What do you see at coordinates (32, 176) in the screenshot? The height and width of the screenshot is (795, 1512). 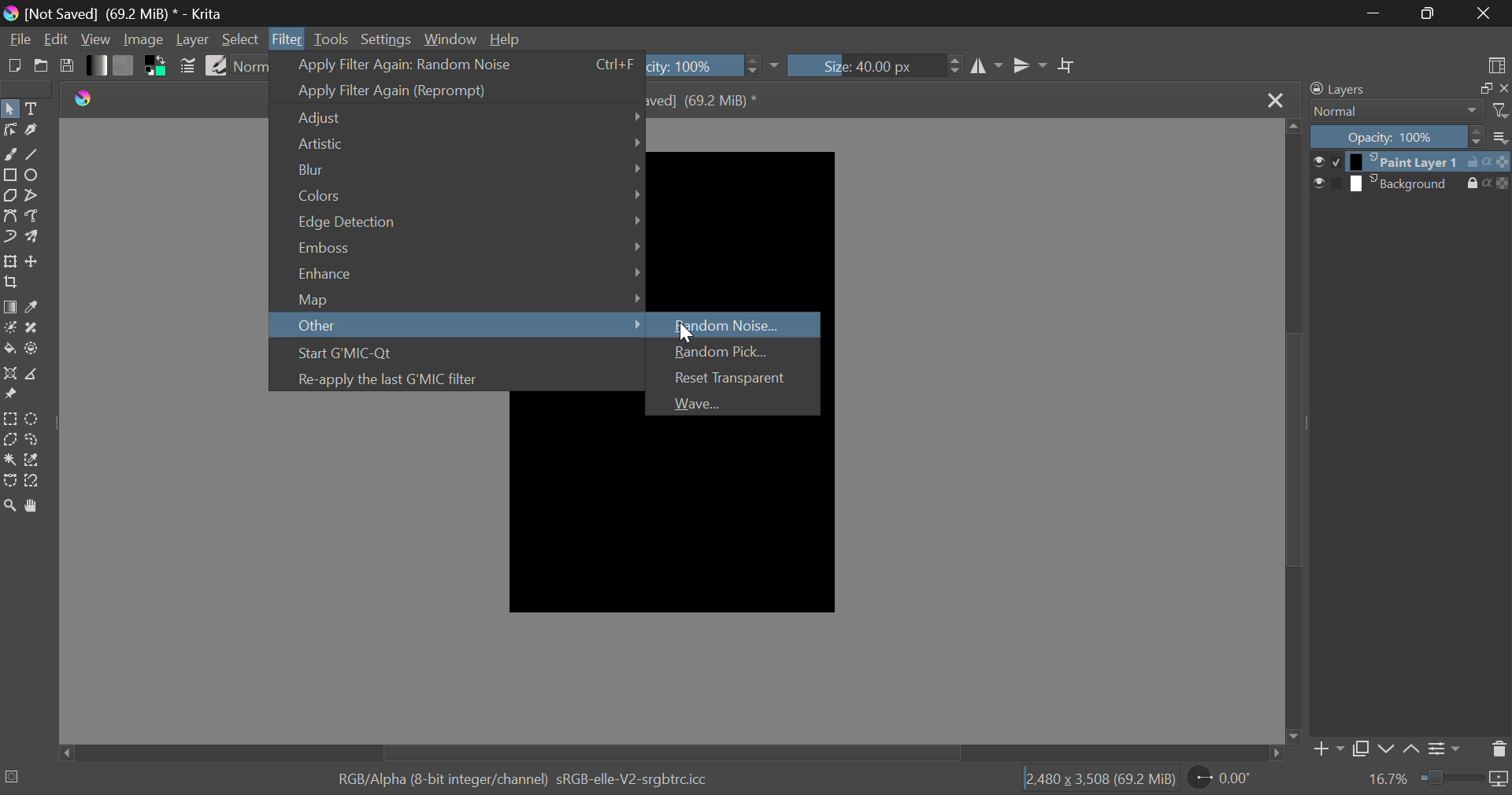 I see `Ellipses` at bounding box center [32, 176].